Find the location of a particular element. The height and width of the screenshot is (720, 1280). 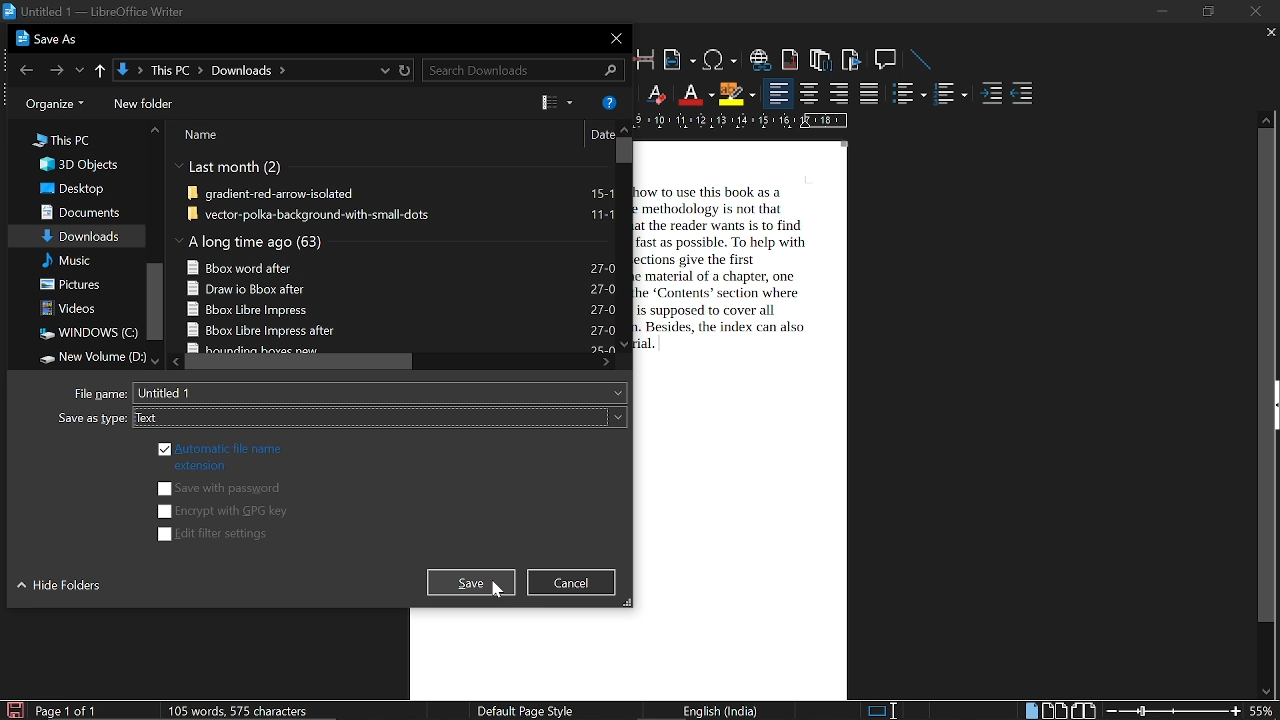

preview pane is located at coordinates (554, 102).